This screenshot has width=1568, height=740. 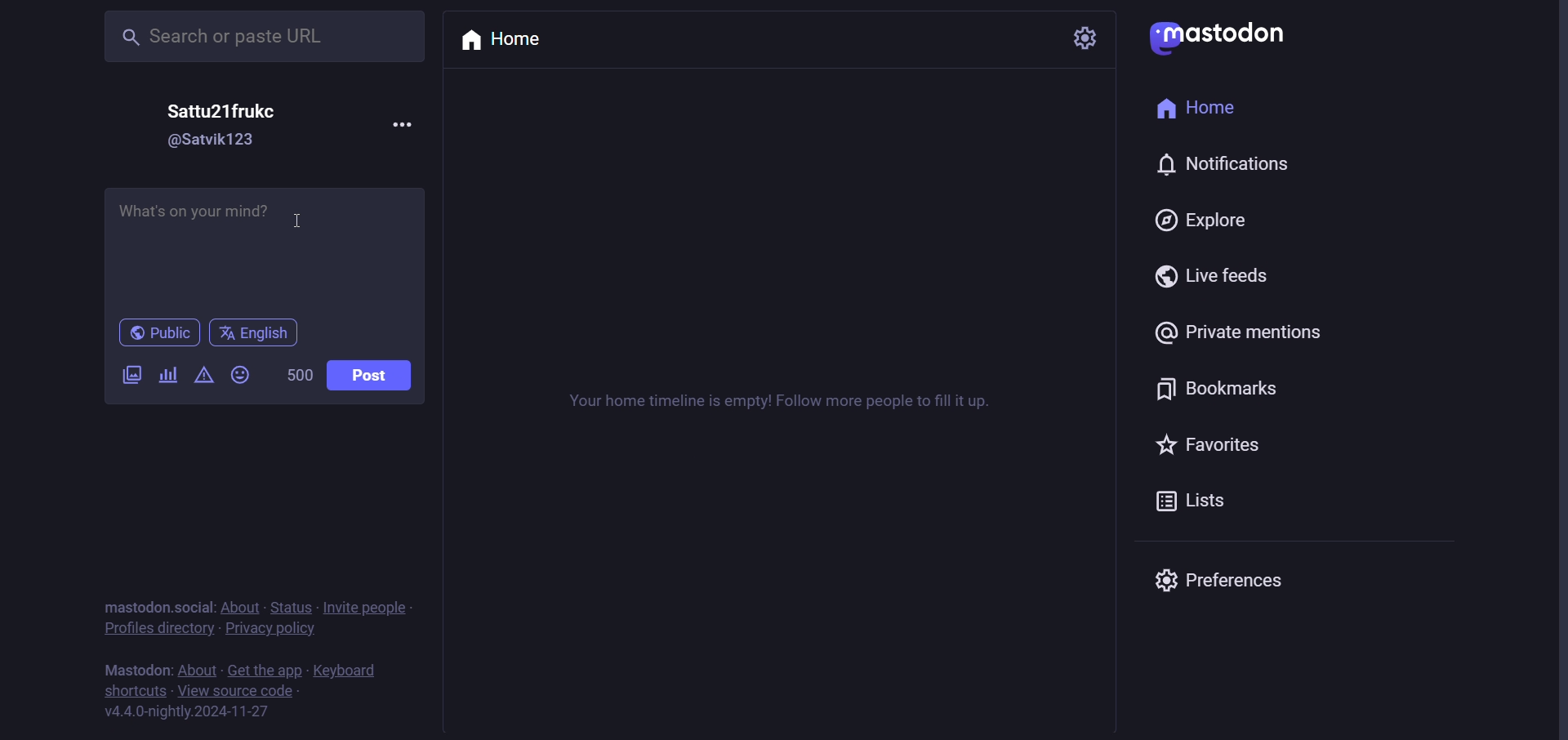 I want to click on public, so click(x=160, y=334).